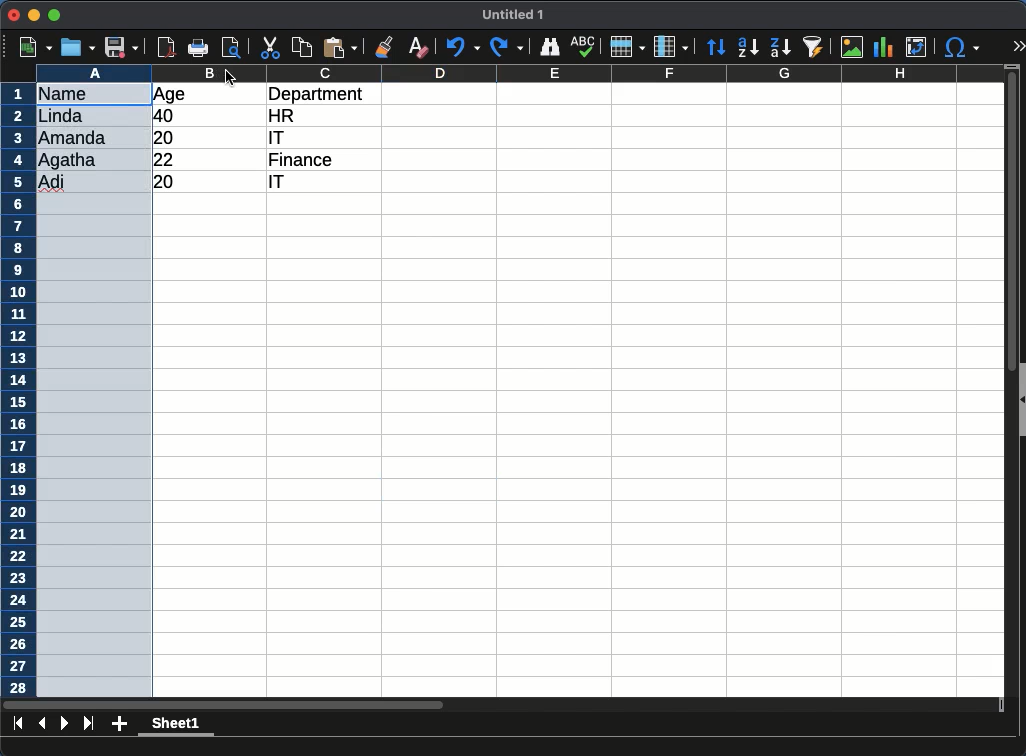 This screenshot has width=1026, height=756. I want to click on last page, so click(88, 725).